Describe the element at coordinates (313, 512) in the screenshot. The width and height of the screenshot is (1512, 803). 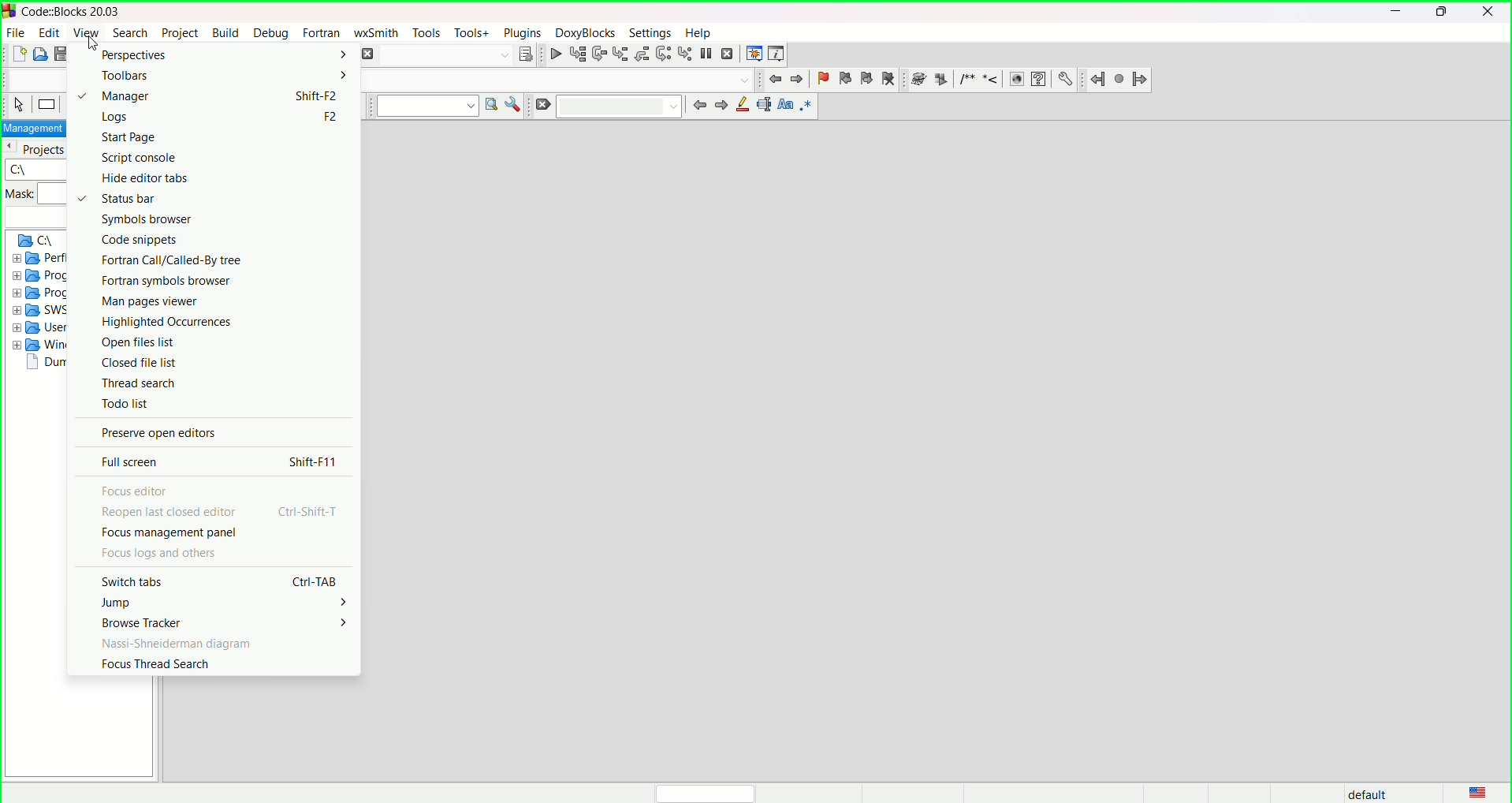
I see `ctrl+shift+T` at that location.